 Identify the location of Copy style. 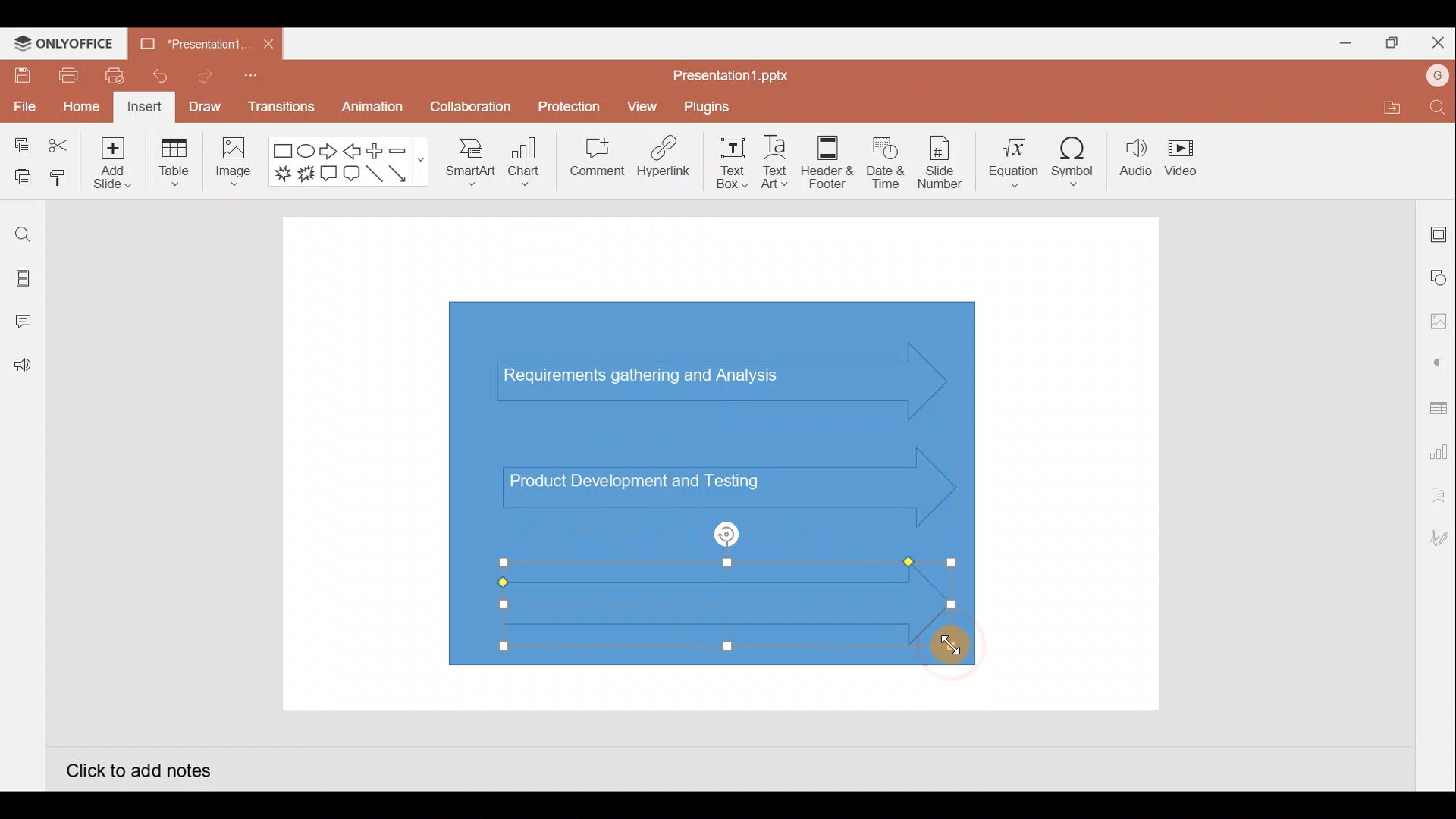
(59, 180).